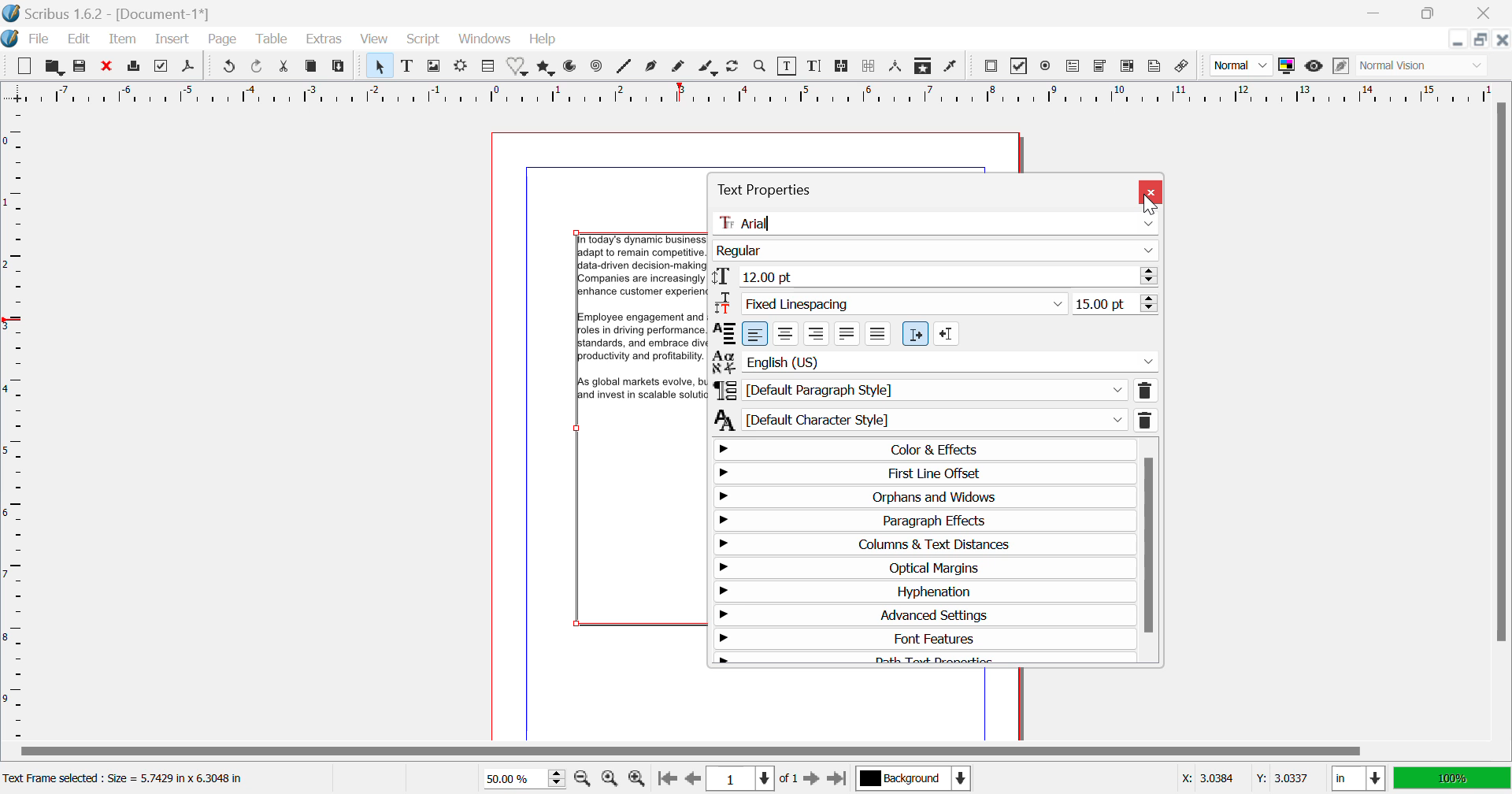  What do you see at coordinates (937, 363) in the screenshot?
I see `Language` at bounding box center [937, 363].